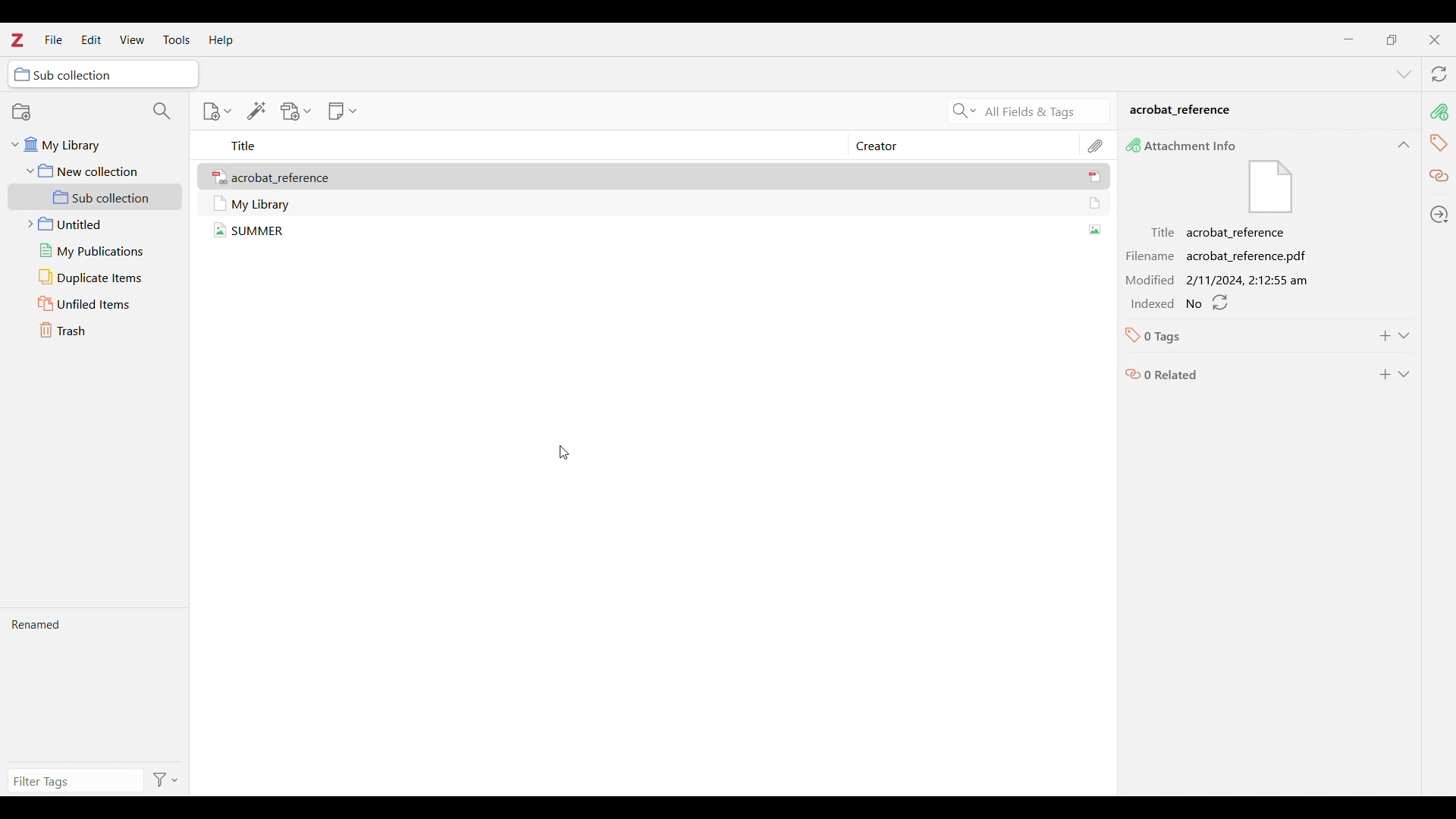 The height and width of the screenshot is (819, 1456). I want to click on Sync with zotero.org, so click(1439, 74).